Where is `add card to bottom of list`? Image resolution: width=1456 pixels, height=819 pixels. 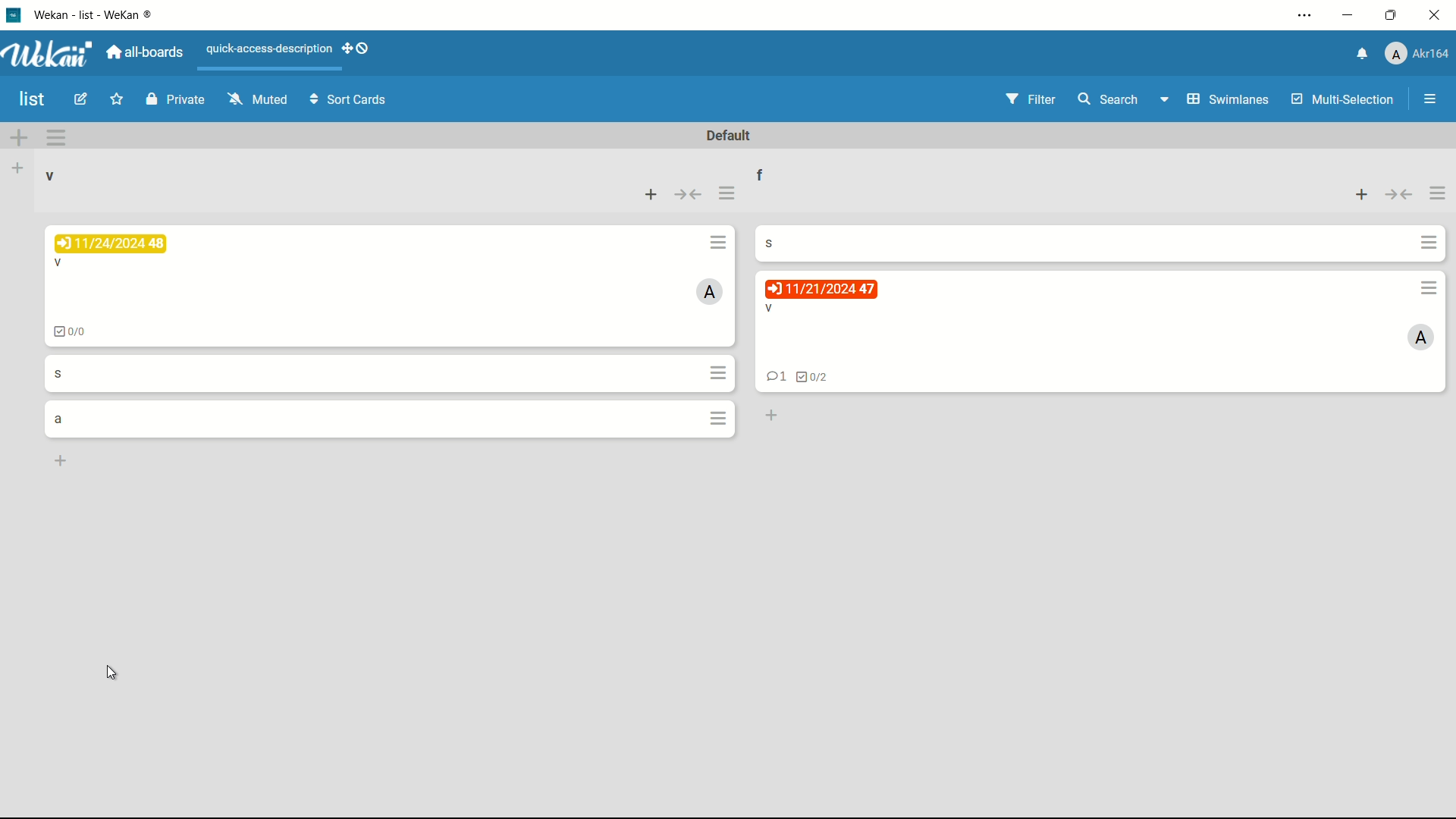 add card to bottom of list is located at coordinates (770, 416).